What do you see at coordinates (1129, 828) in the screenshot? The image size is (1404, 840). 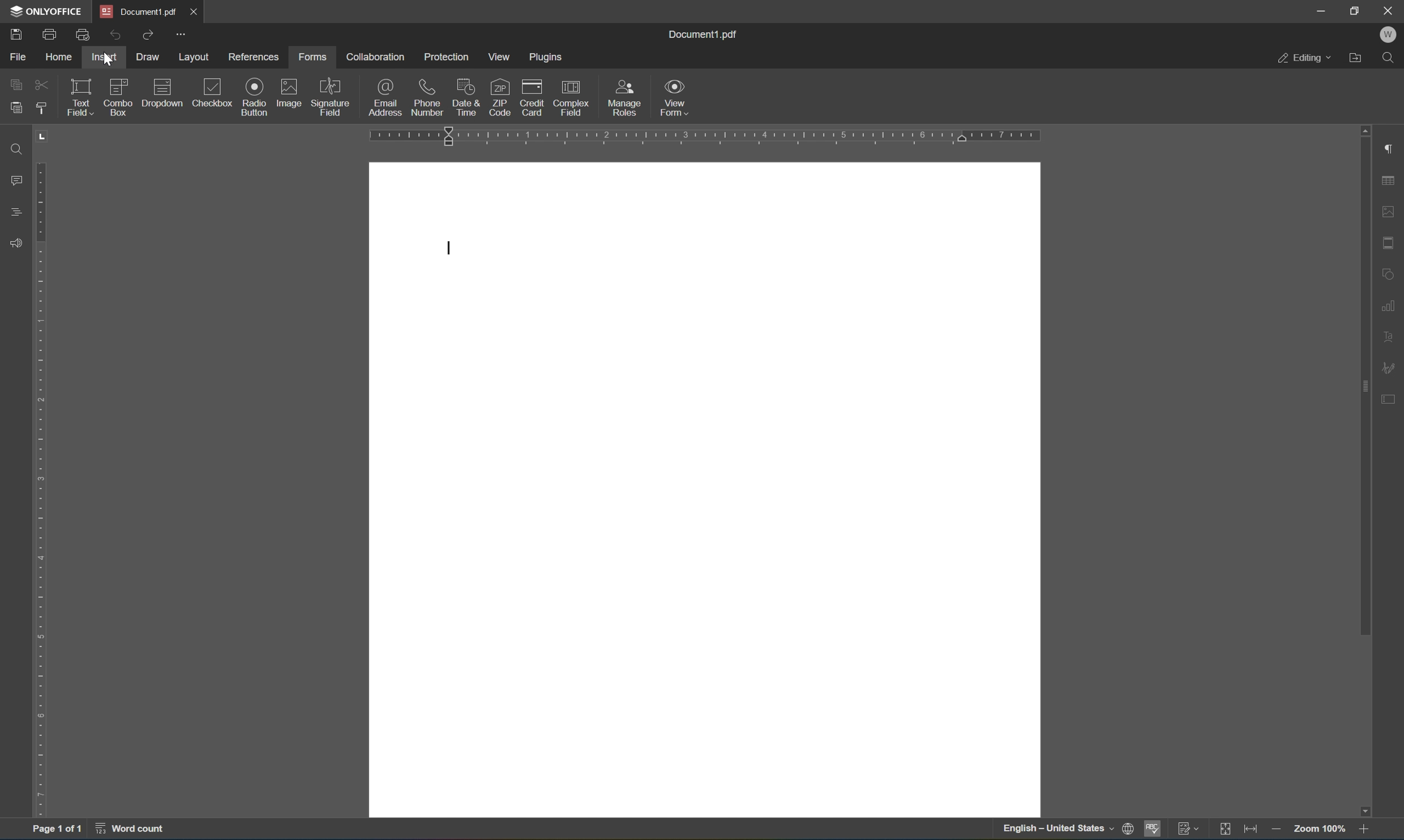 I see `set document language` at bounding box center [1129, 828].